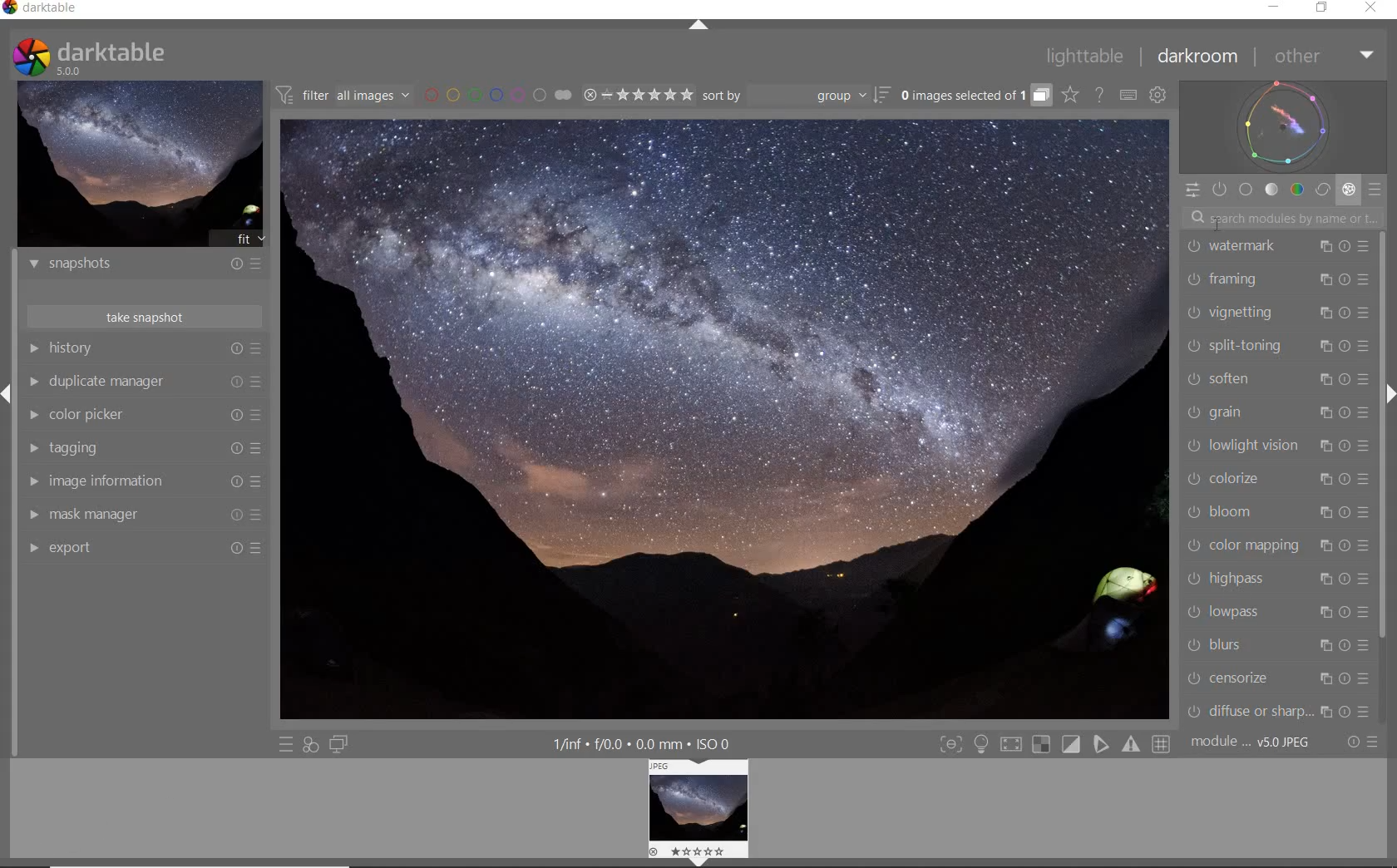 The image size is (1397, 868). What do you see at coordinates (1345, 548) in the screenshot?
I see `reset parameters` at bounding box center [1345, 548].